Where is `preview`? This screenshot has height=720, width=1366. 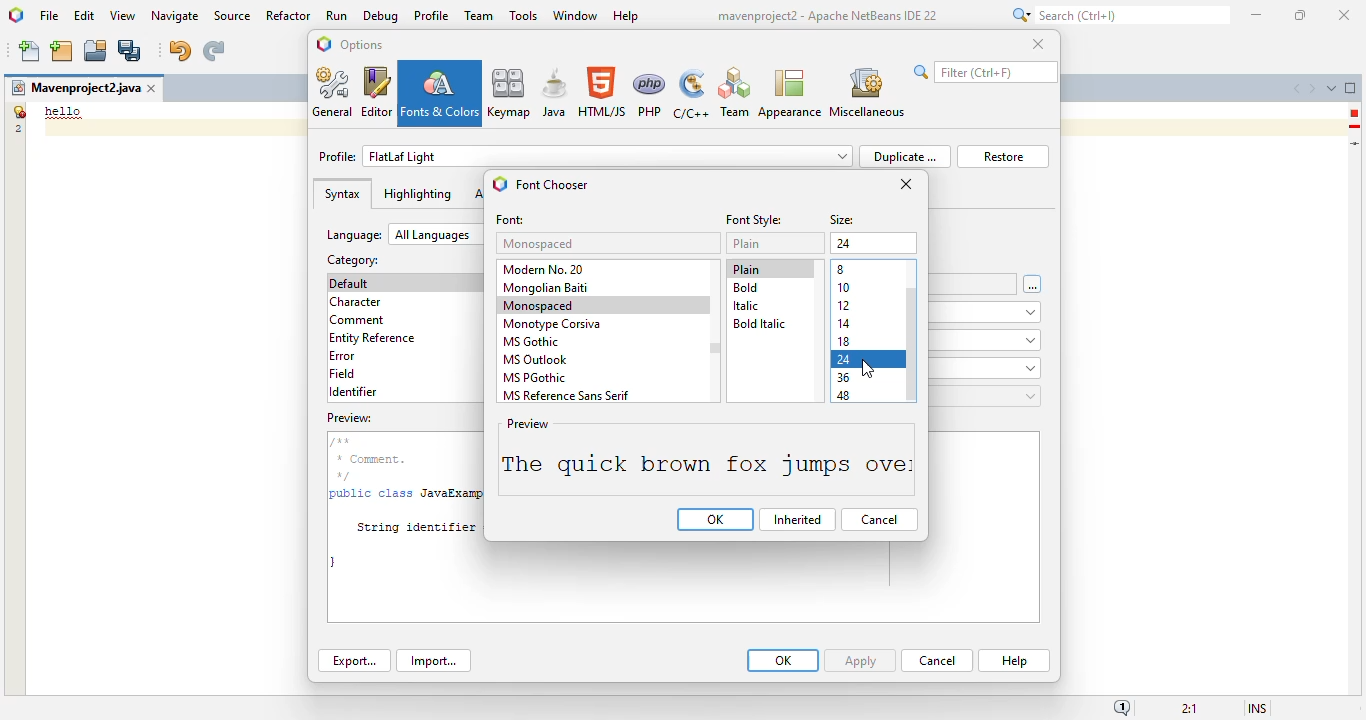
preview is located at coordinates (706, 458).